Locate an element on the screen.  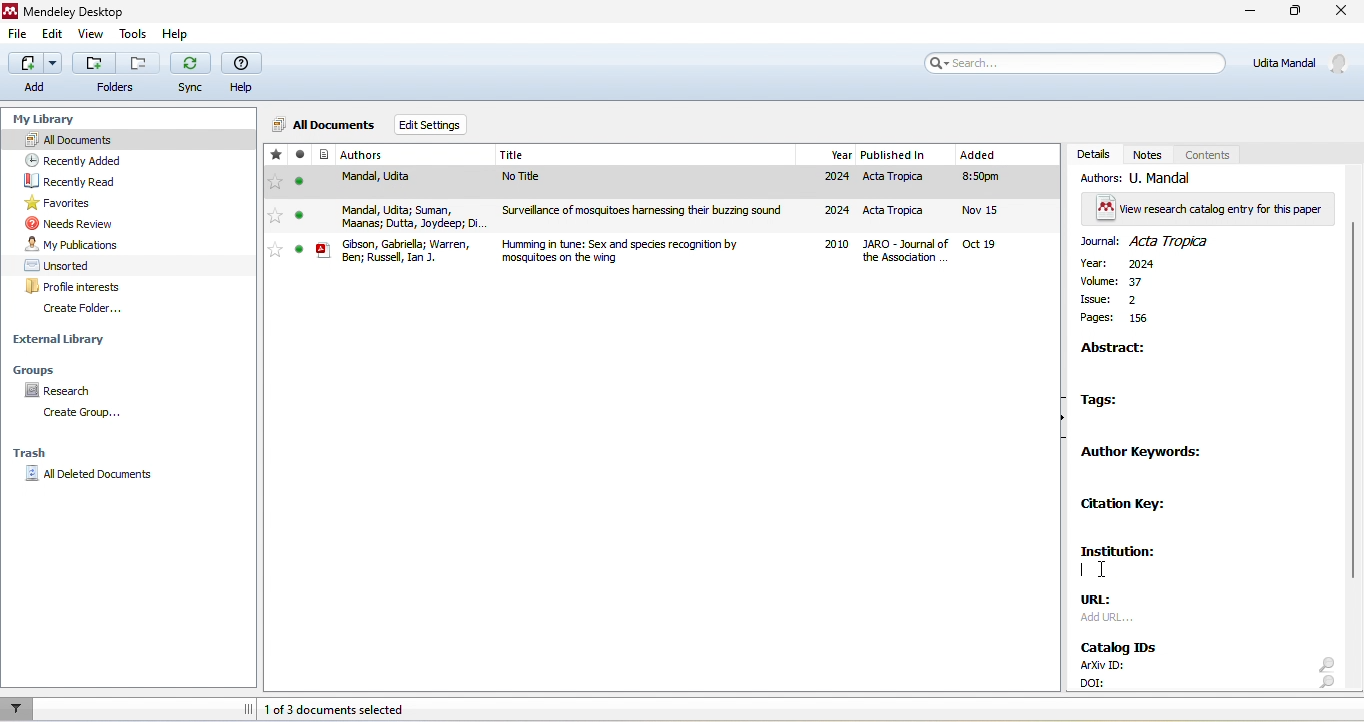
trash is located at coordinates (33, 453).